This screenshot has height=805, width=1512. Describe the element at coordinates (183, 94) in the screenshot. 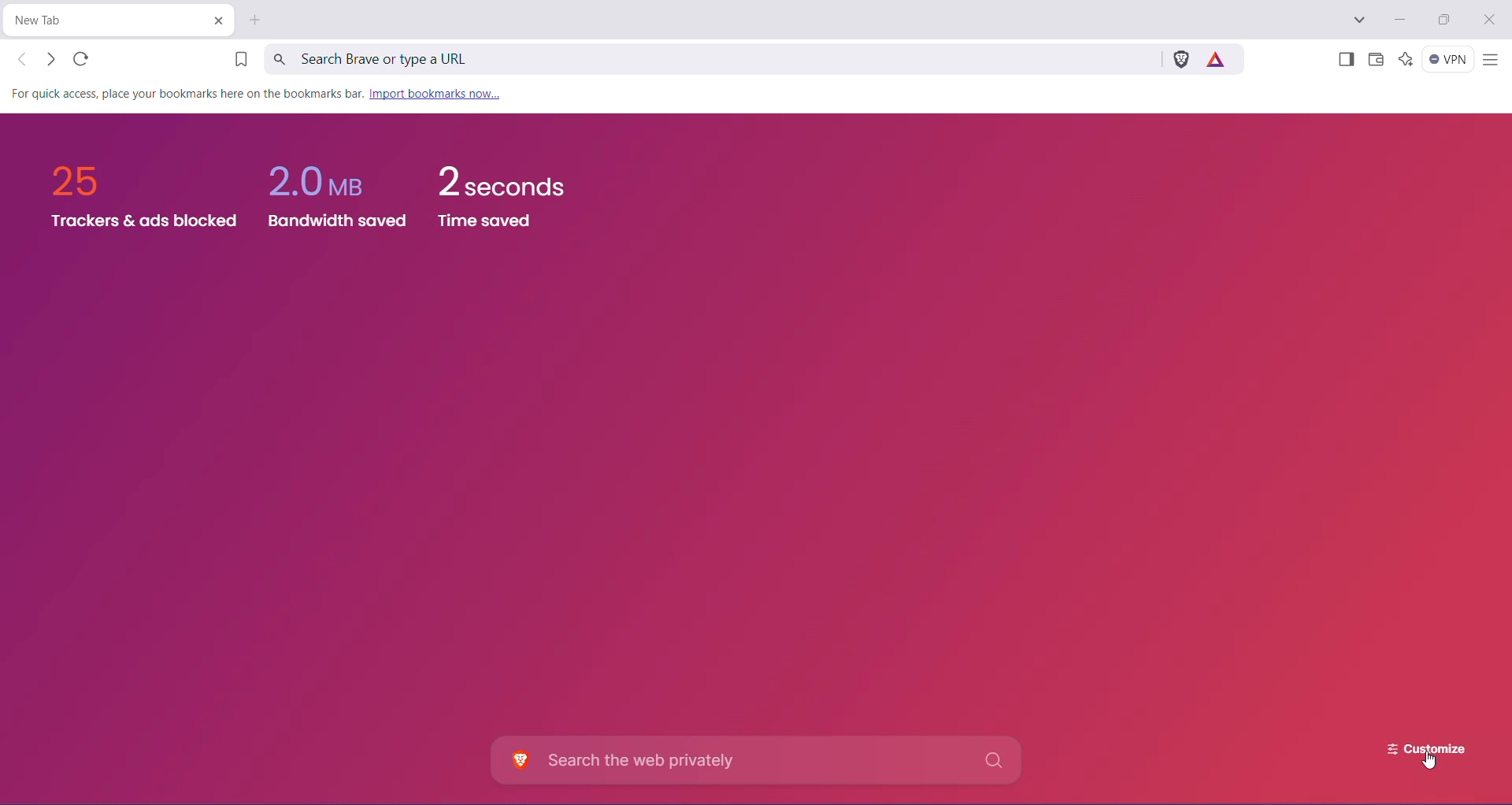

I see `For quick access, place your bookmarks here on the bookmarks bar` at that location.